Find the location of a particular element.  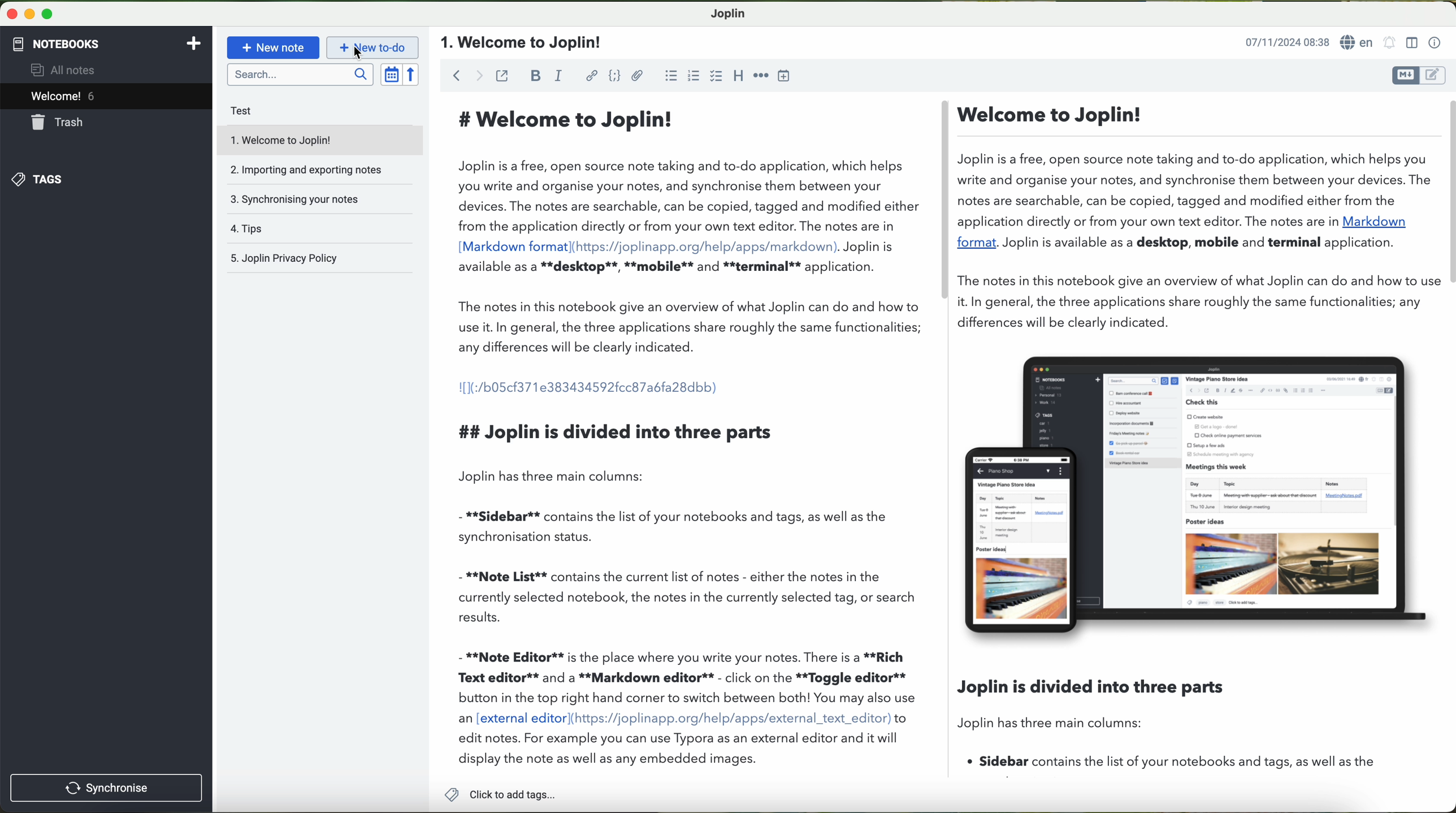

note properties is located at coordinates (1436, 43).